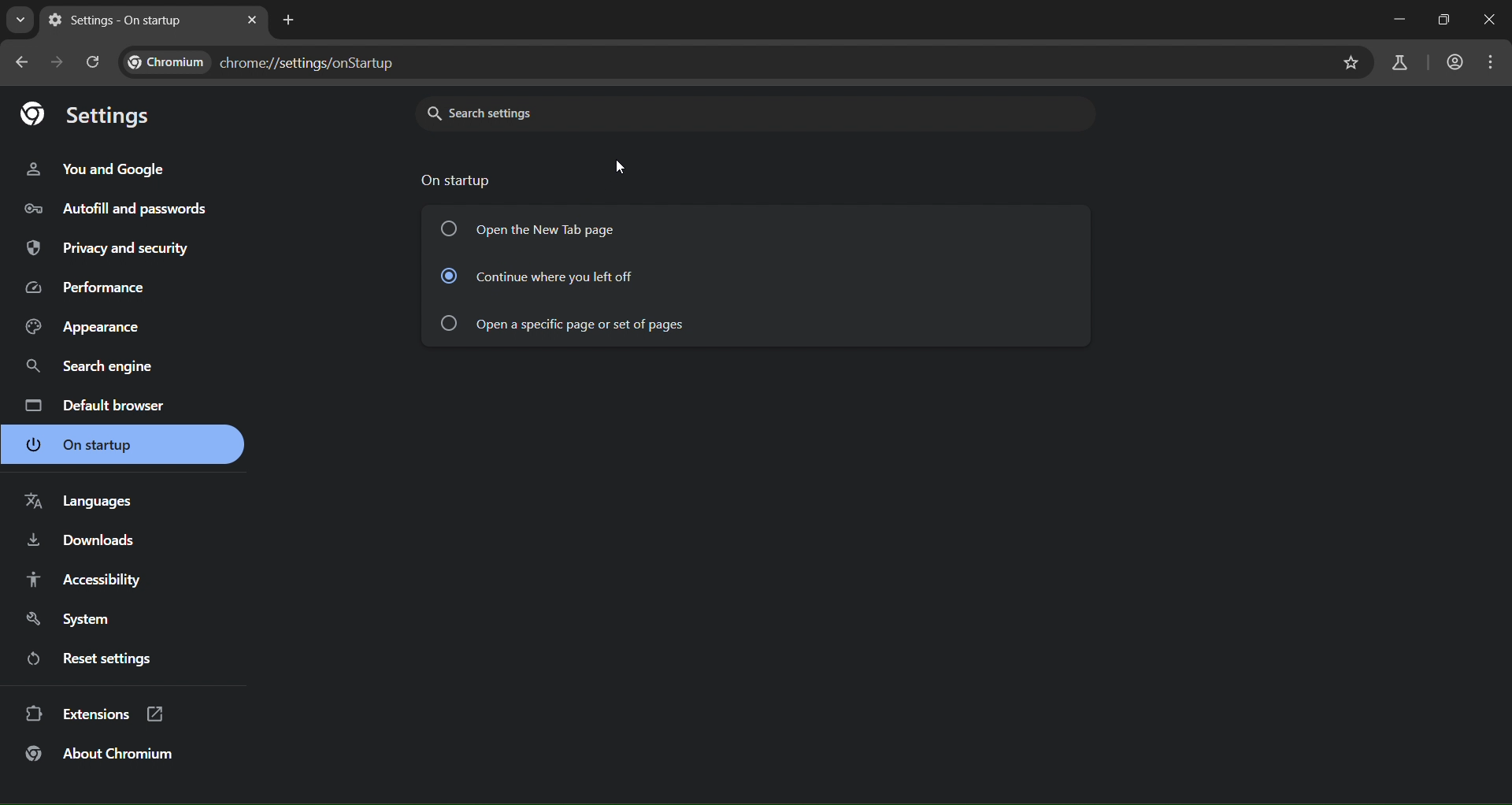 The width and height of the screenshot is (1512, 805). What do you see at coordinates (1352, 61) in the screenshot?
I see `bookmark page` at bounding box center [1352, 61].